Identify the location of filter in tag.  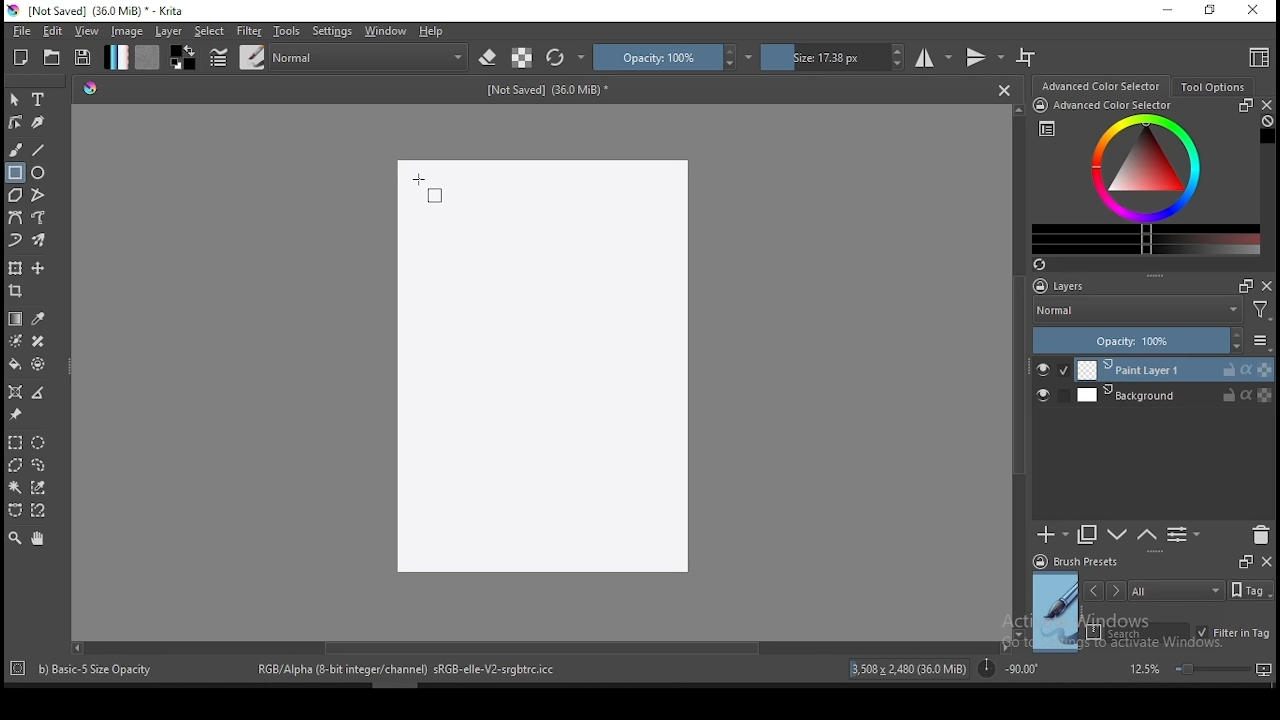
(1233, 634).